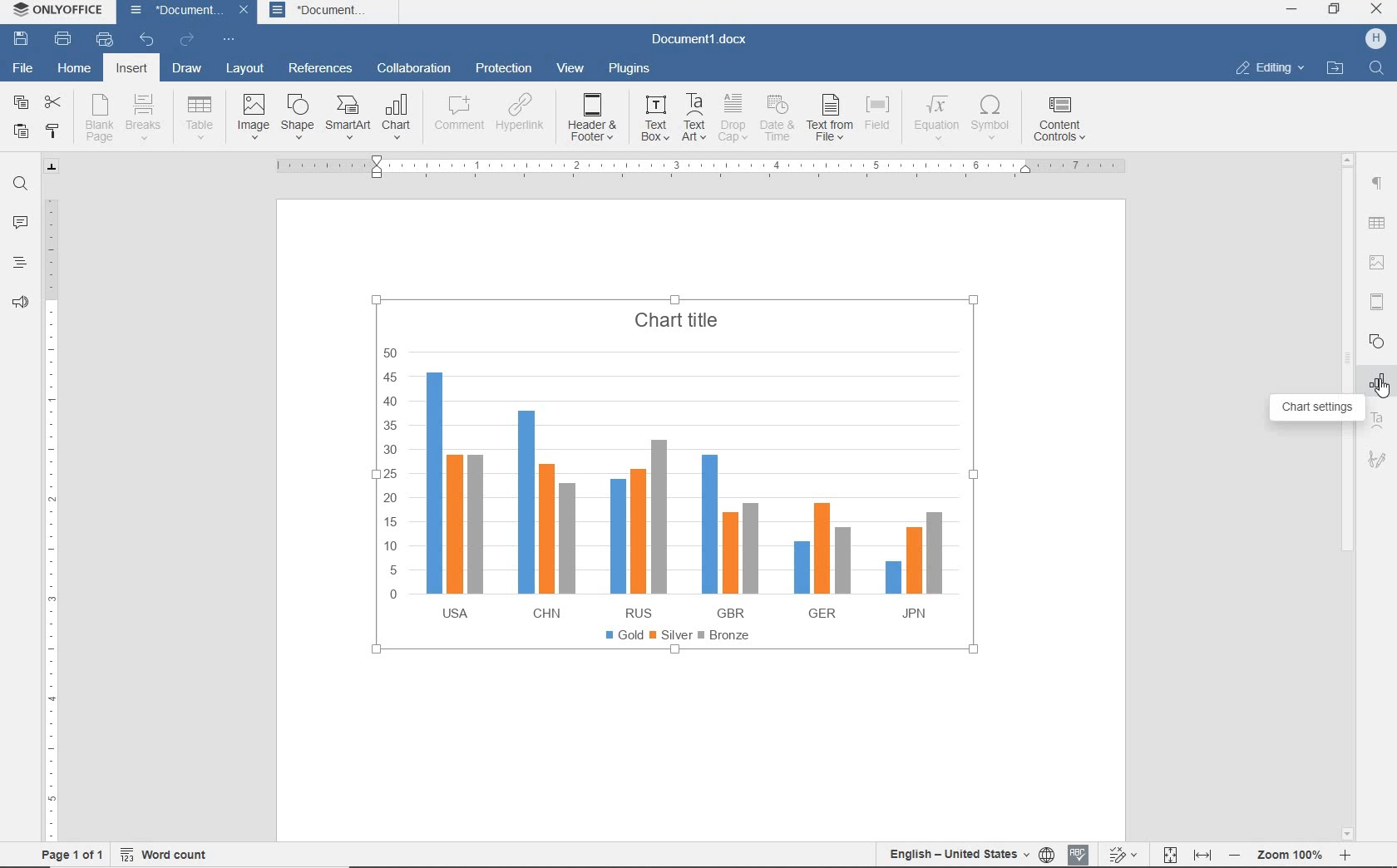  Describe the element at coordinates (1335, 11) in the screenshot. I see `restore down` at that location.